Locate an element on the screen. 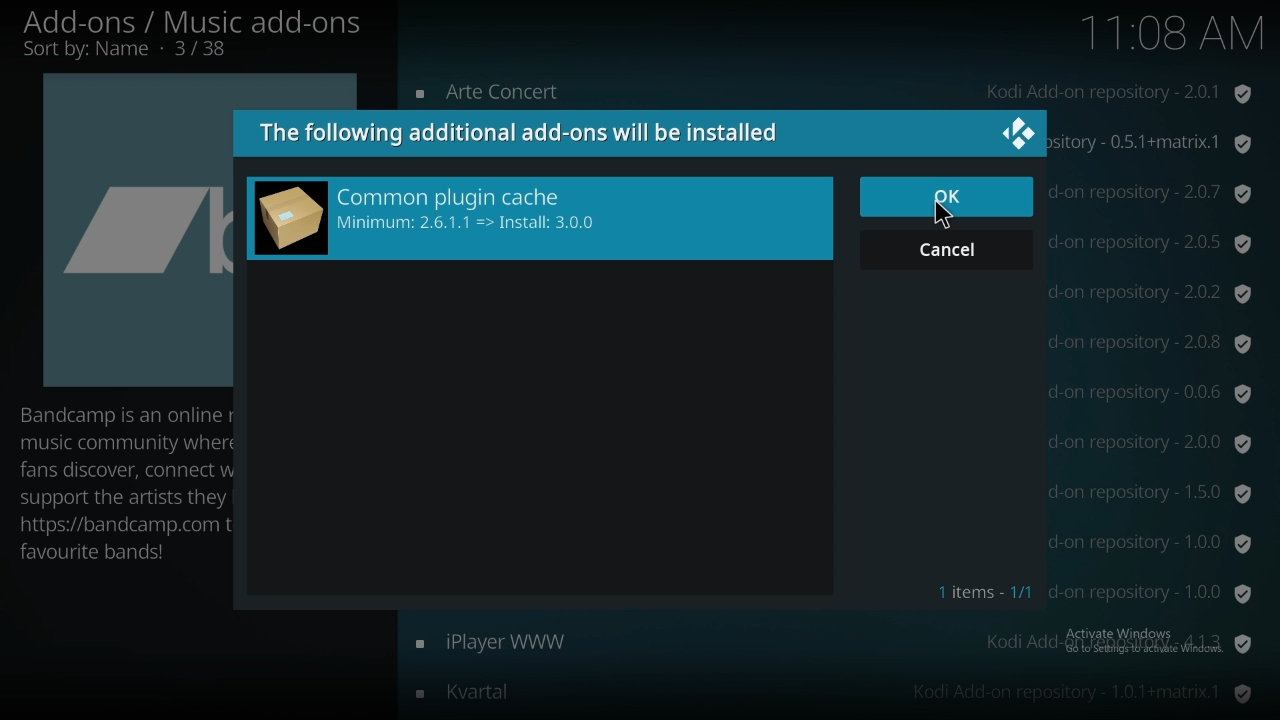 This screenshot has width=1280, height=720. close is located at coordinates (1017, 133).